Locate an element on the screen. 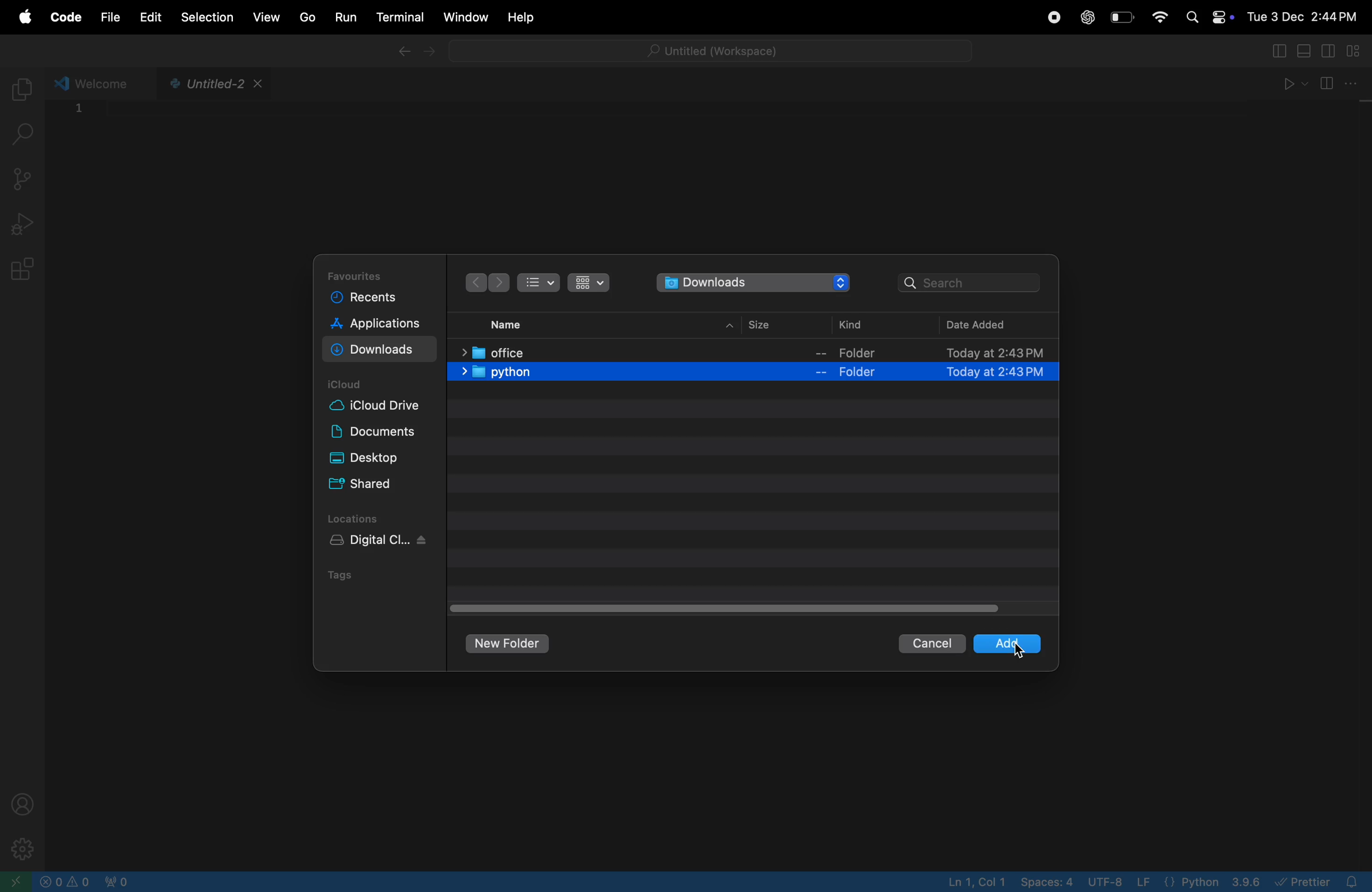  go is located at coordinates (306, 16).